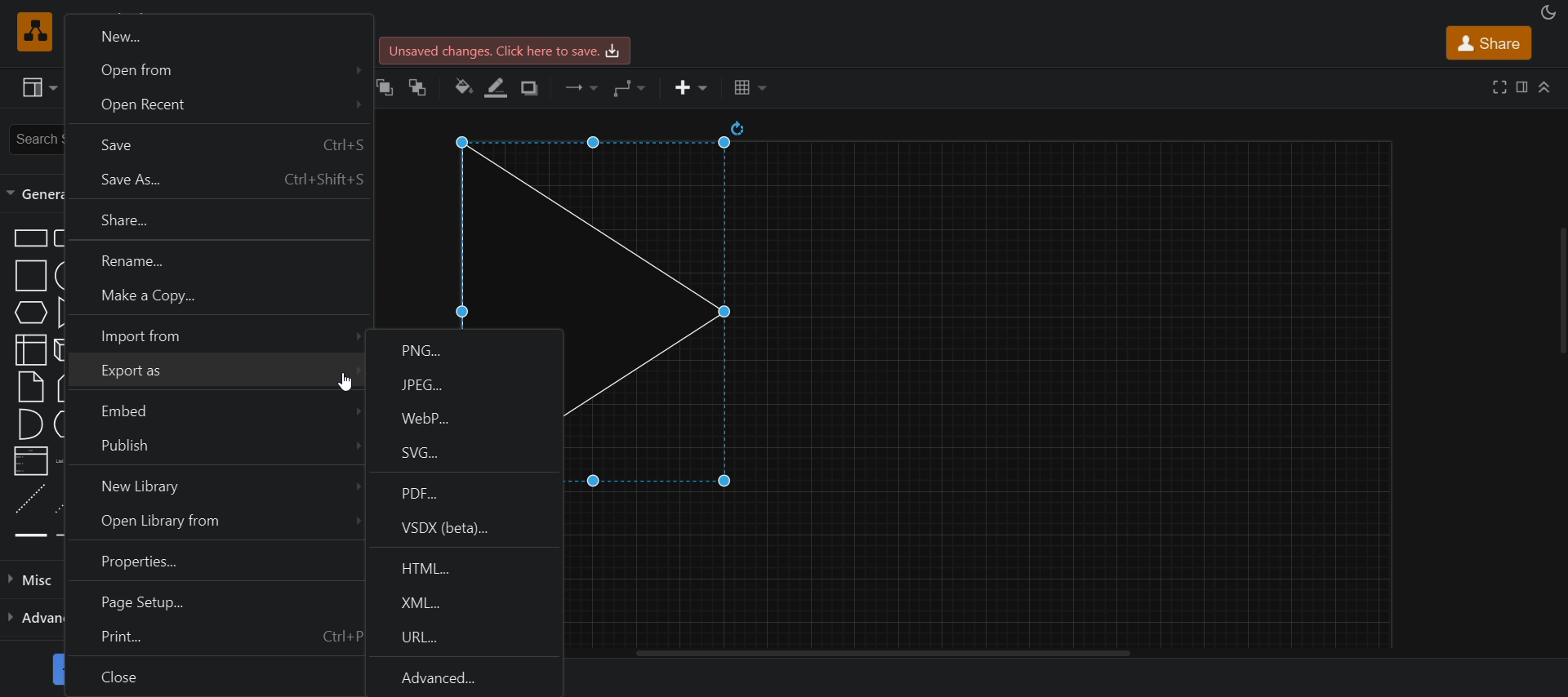 The width and height of the screenshot is (1568, 697). What do you see at coordinates (211, 601) in the screenshot?
I see `page setup` at bounding box center [211, 601].